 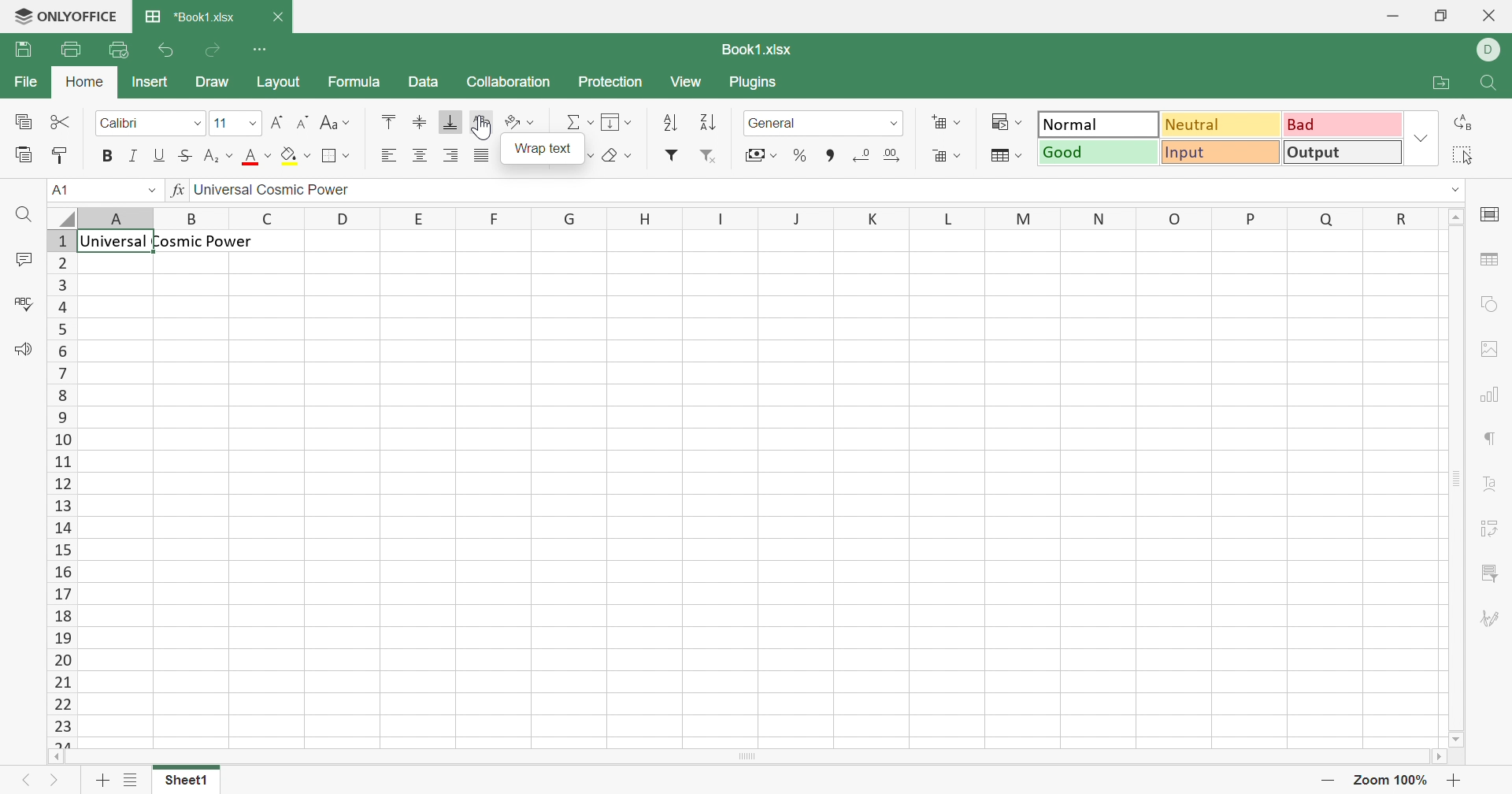 What do you see at coordinates (894, 154) in the screenshot?
I see `Increase decimal` at bounding box center [894, 154].